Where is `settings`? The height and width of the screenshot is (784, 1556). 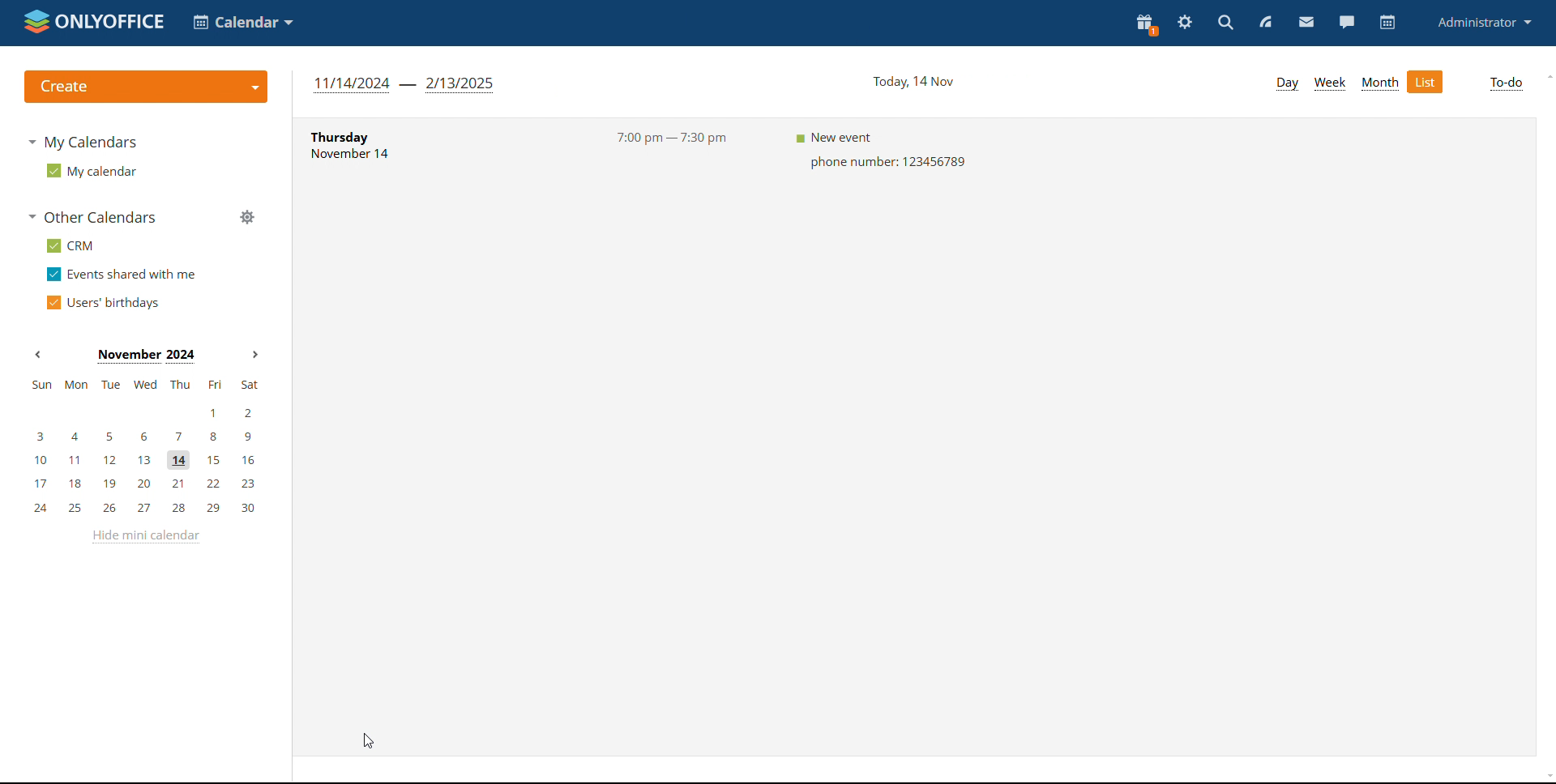 settings is located at coordinates (1186, 21).